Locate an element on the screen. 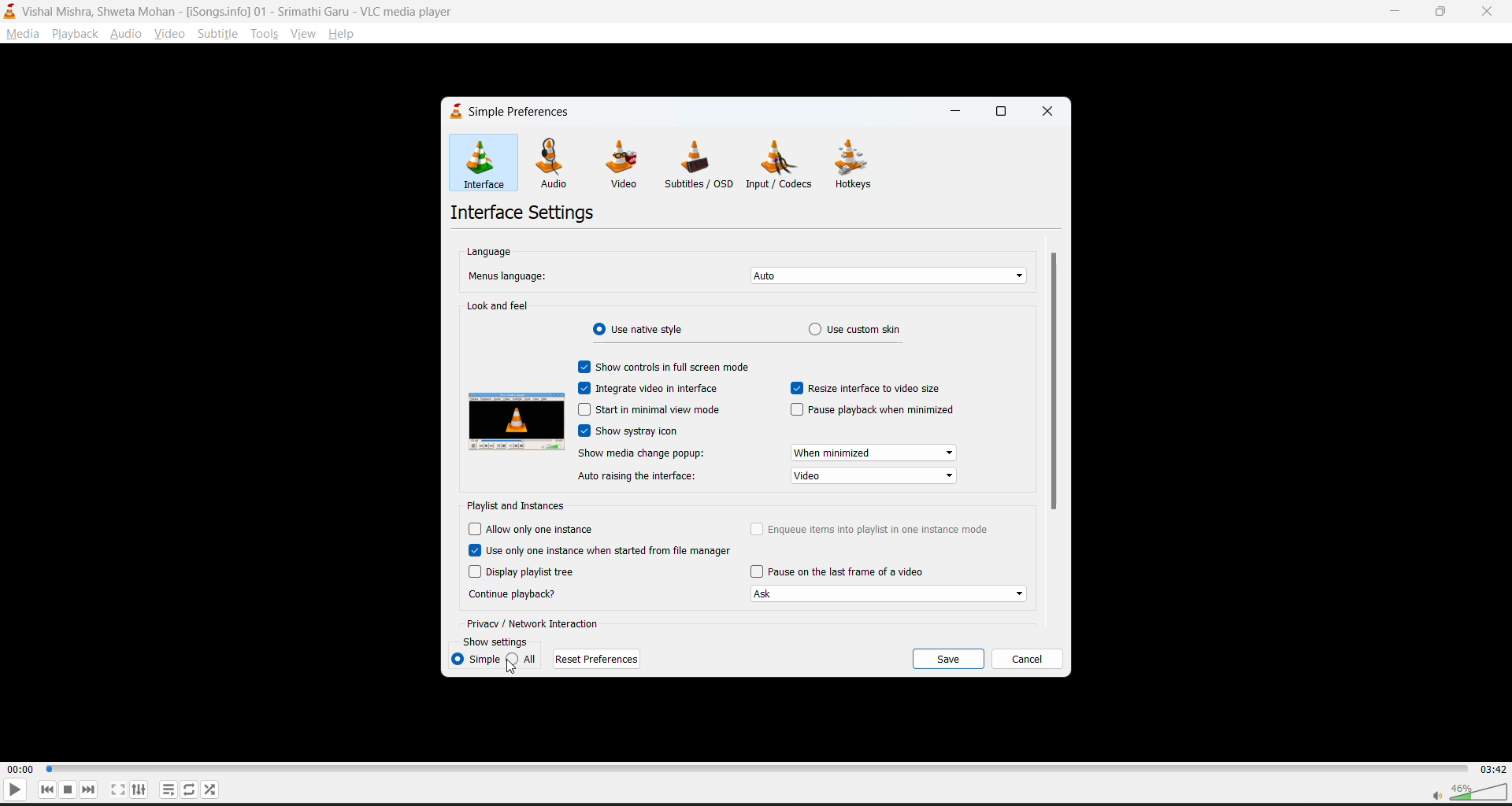 Image resolution: width=1512 pixels, height=806 pixels. play is located at coordinates (13, 792).